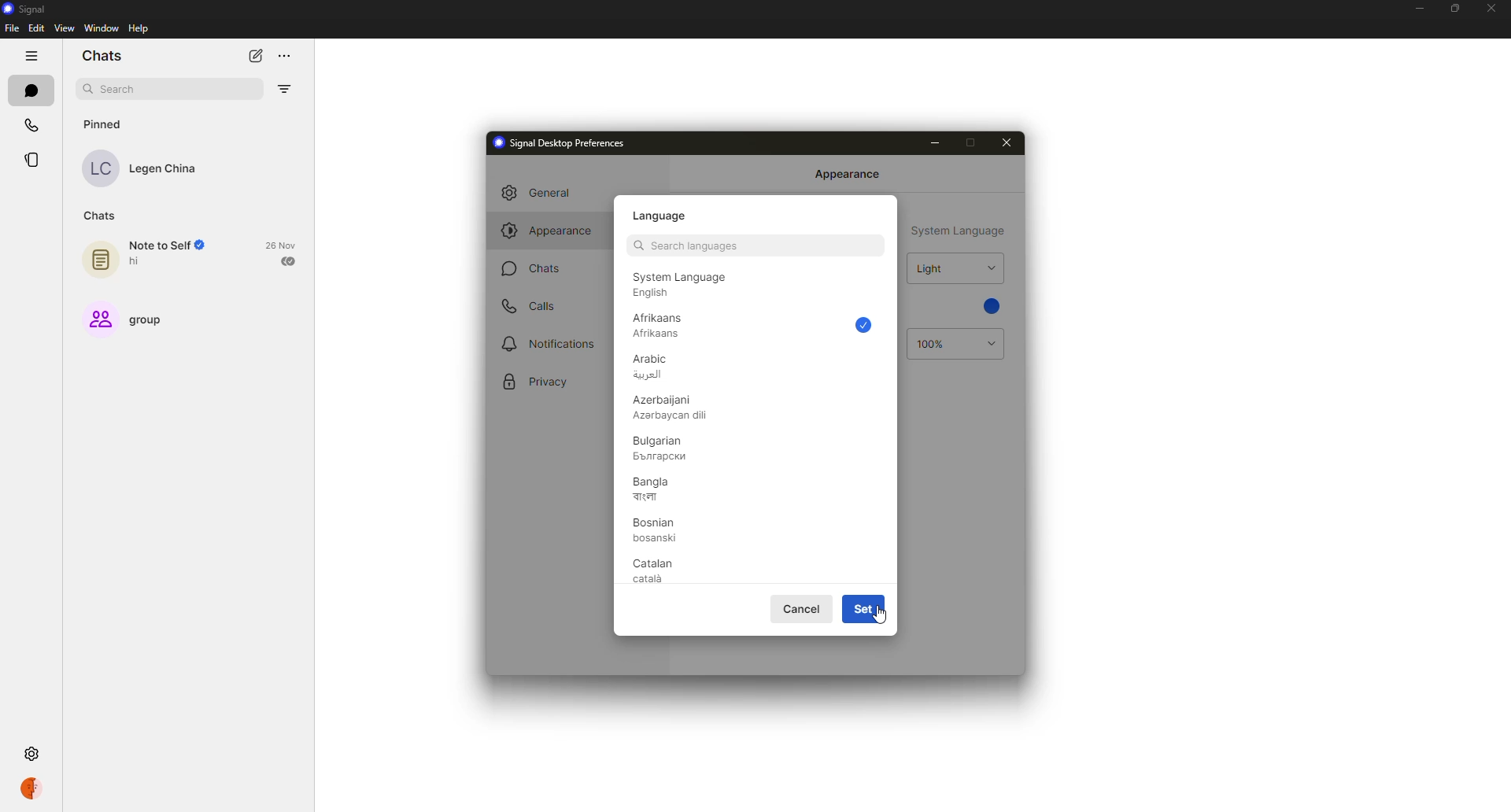  I want to click on maximize, so click(970, 143).